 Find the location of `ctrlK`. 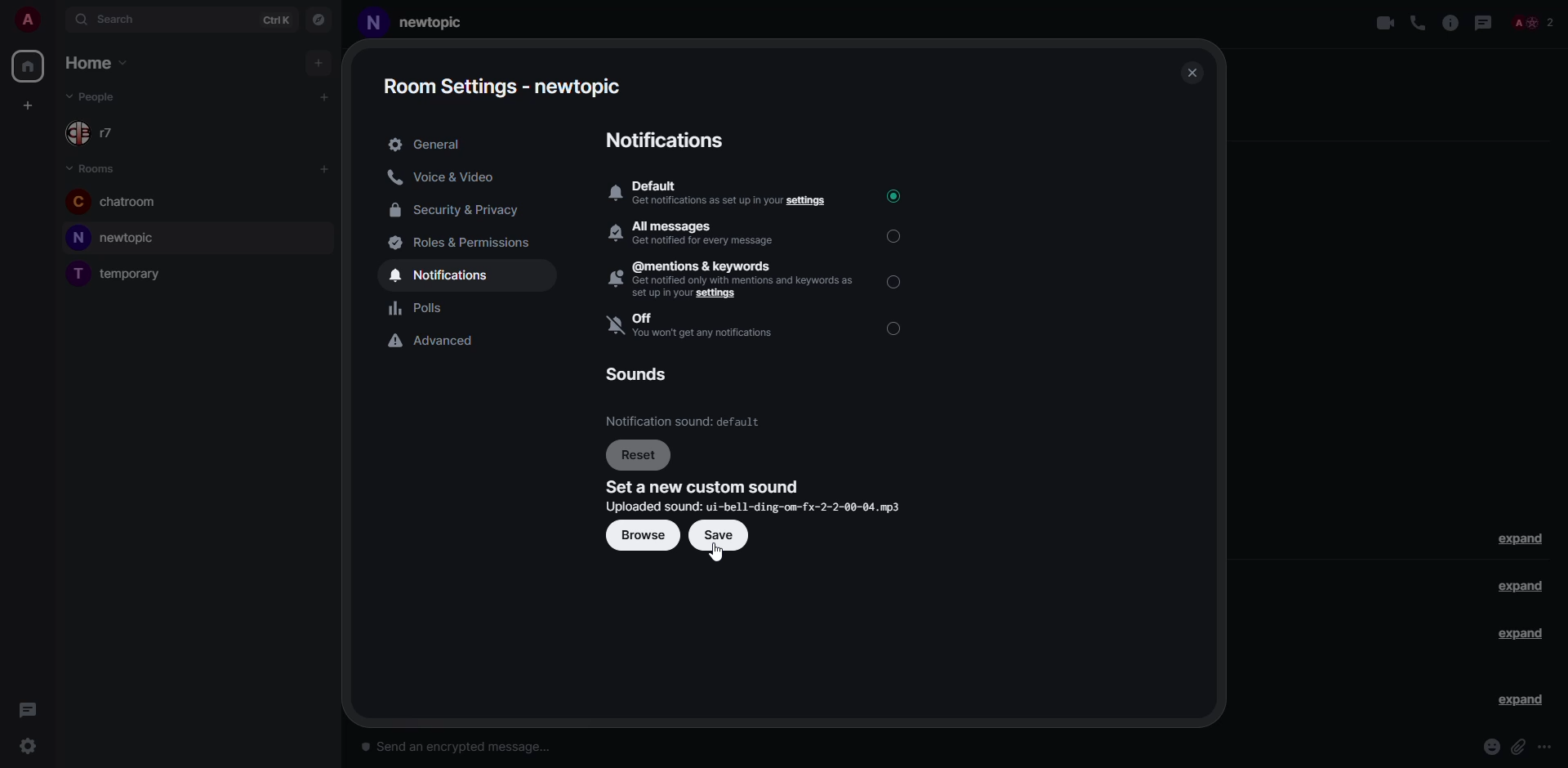

ctrlK is located at coordinates (276, 22).